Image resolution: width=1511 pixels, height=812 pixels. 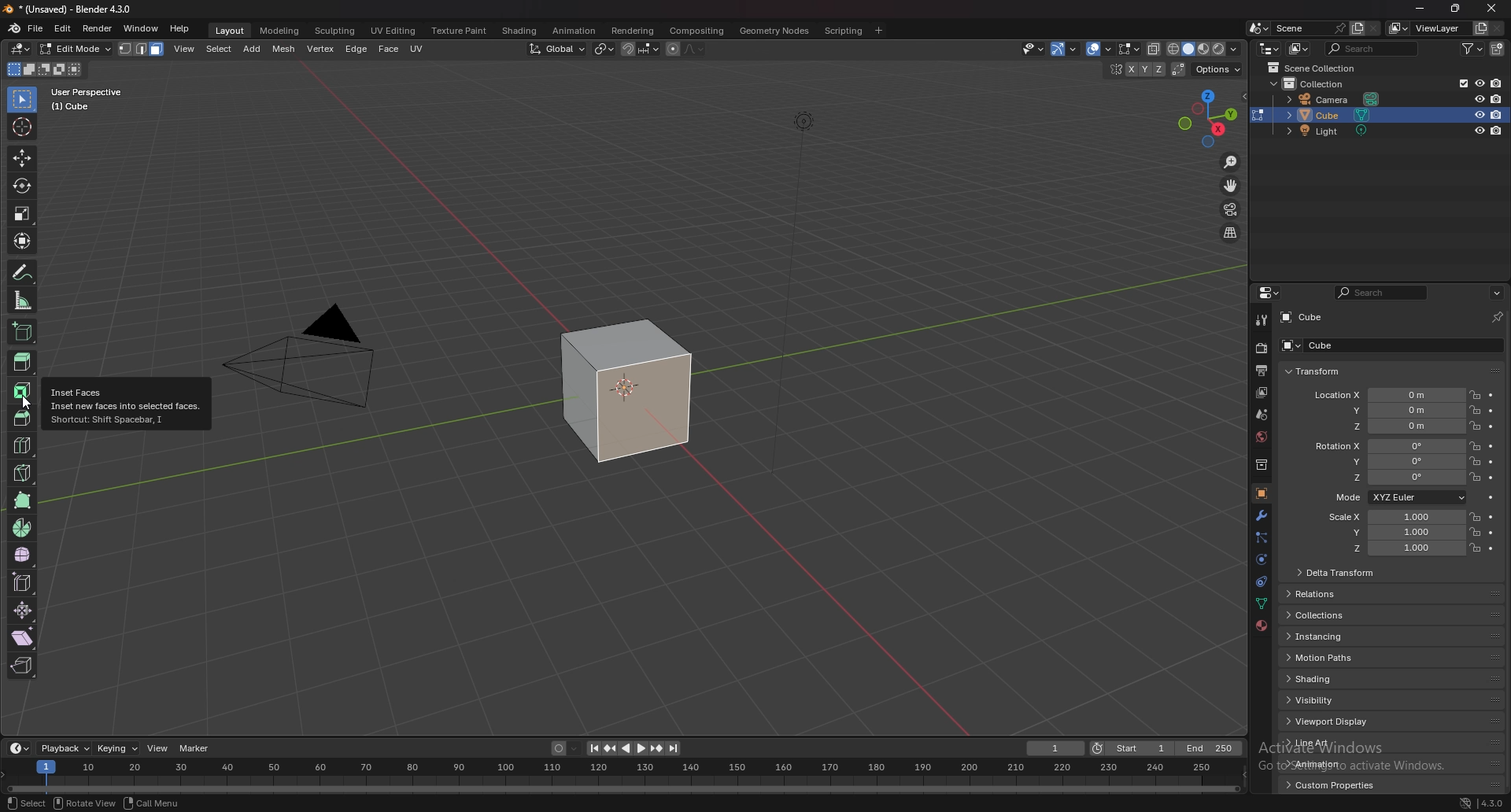 What do you see at coordinates (1498, 29) in the screenshot?
I see `remove view layer` at bounding box center [1498, 29].